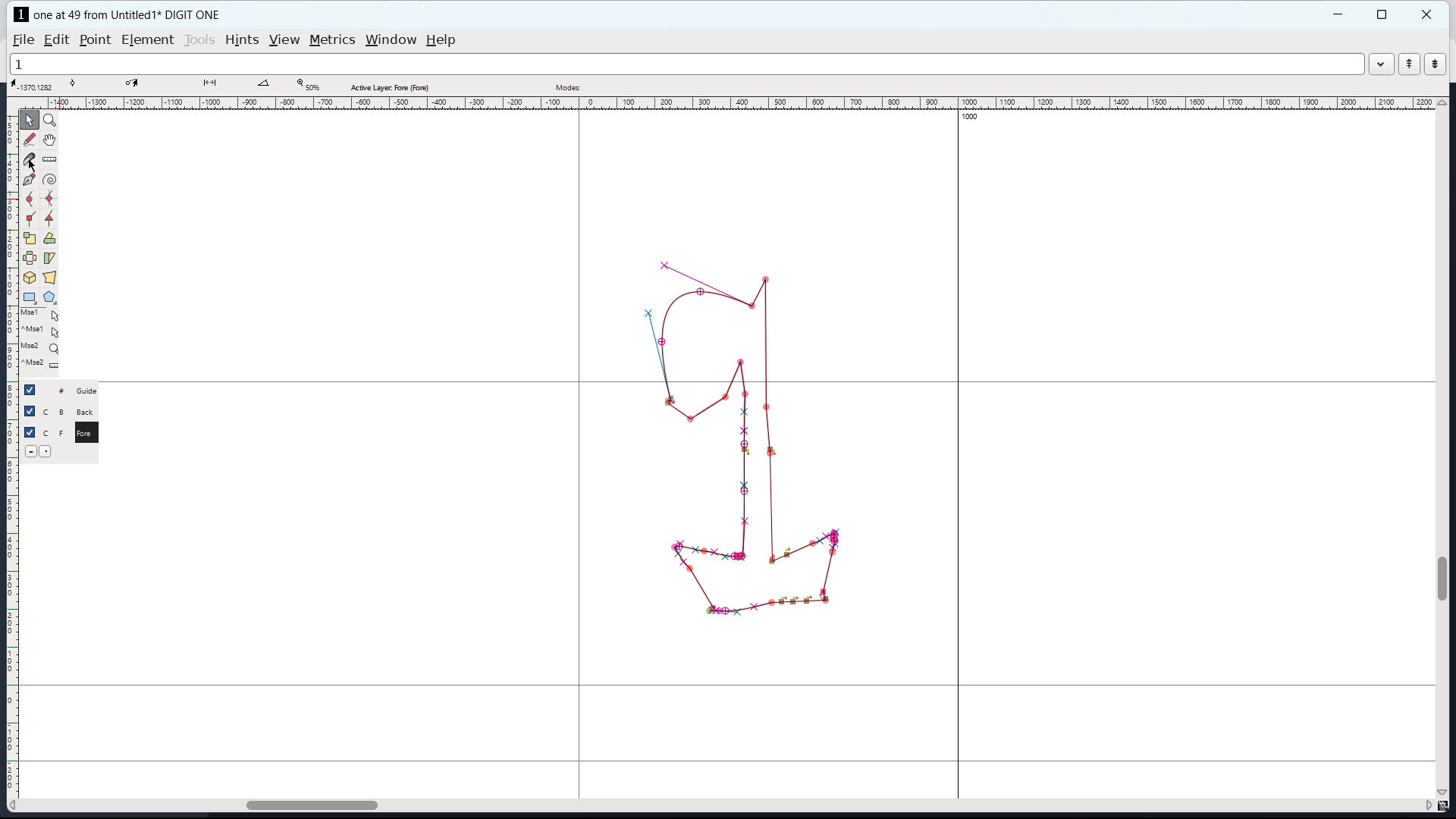  Describe the element at coordinates (391, 40) in the screenshot. I see `window` at that location.